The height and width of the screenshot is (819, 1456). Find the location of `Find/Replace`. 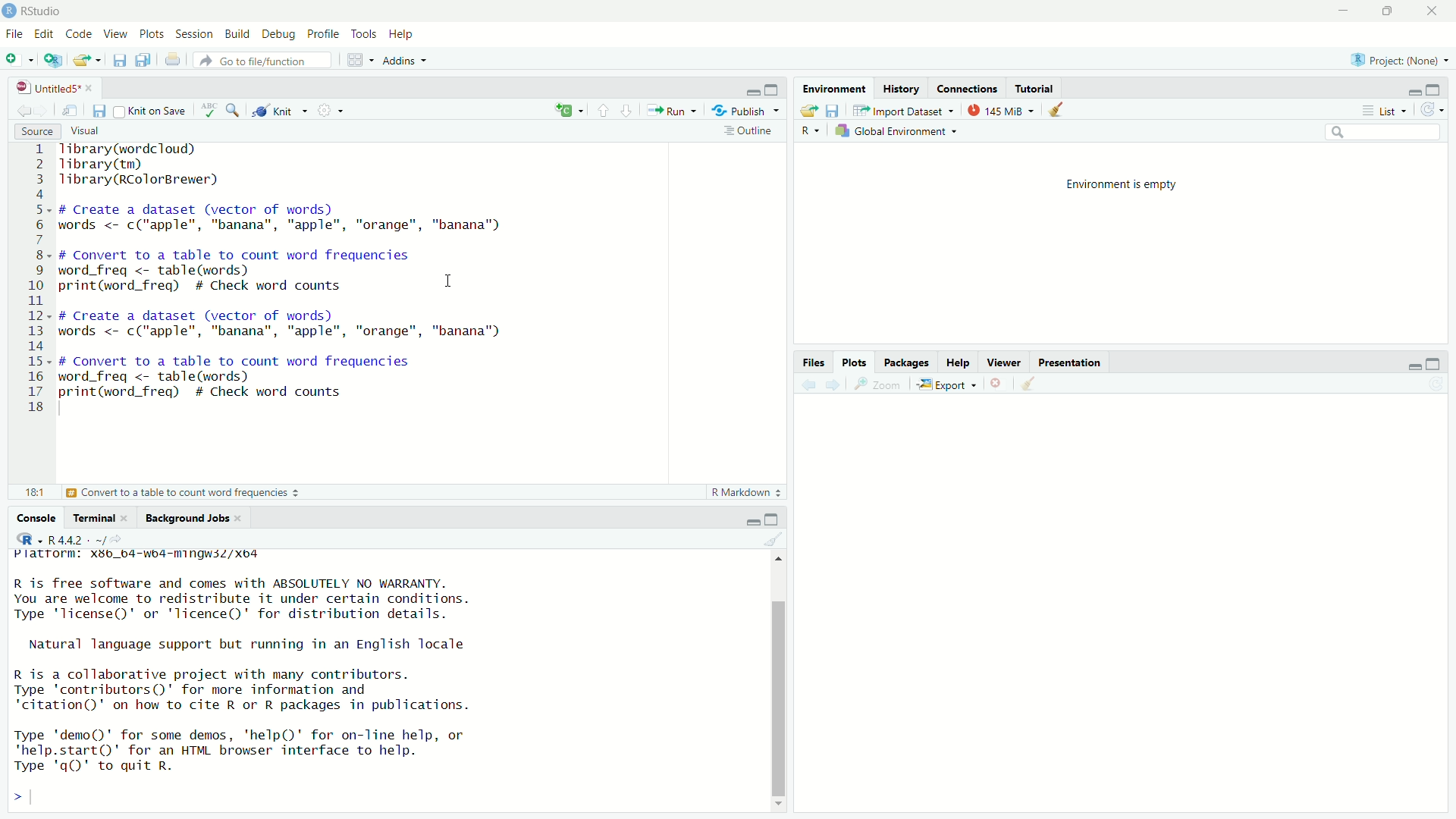

Find/Replace is located at coordinates (231, 109).